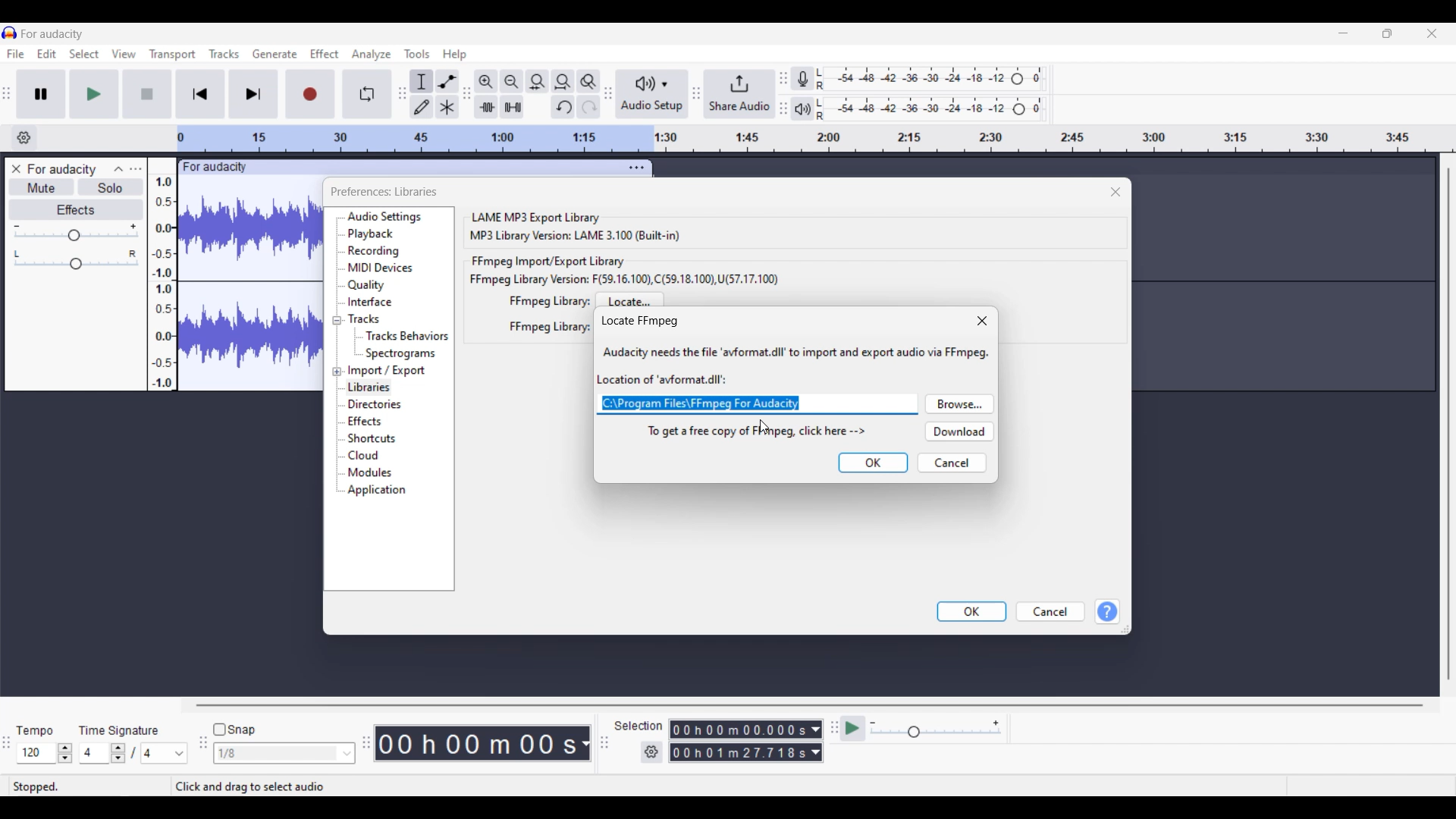 This screenshot has width=1456, height=819. I want to click on Share audio, so click(740, 94).